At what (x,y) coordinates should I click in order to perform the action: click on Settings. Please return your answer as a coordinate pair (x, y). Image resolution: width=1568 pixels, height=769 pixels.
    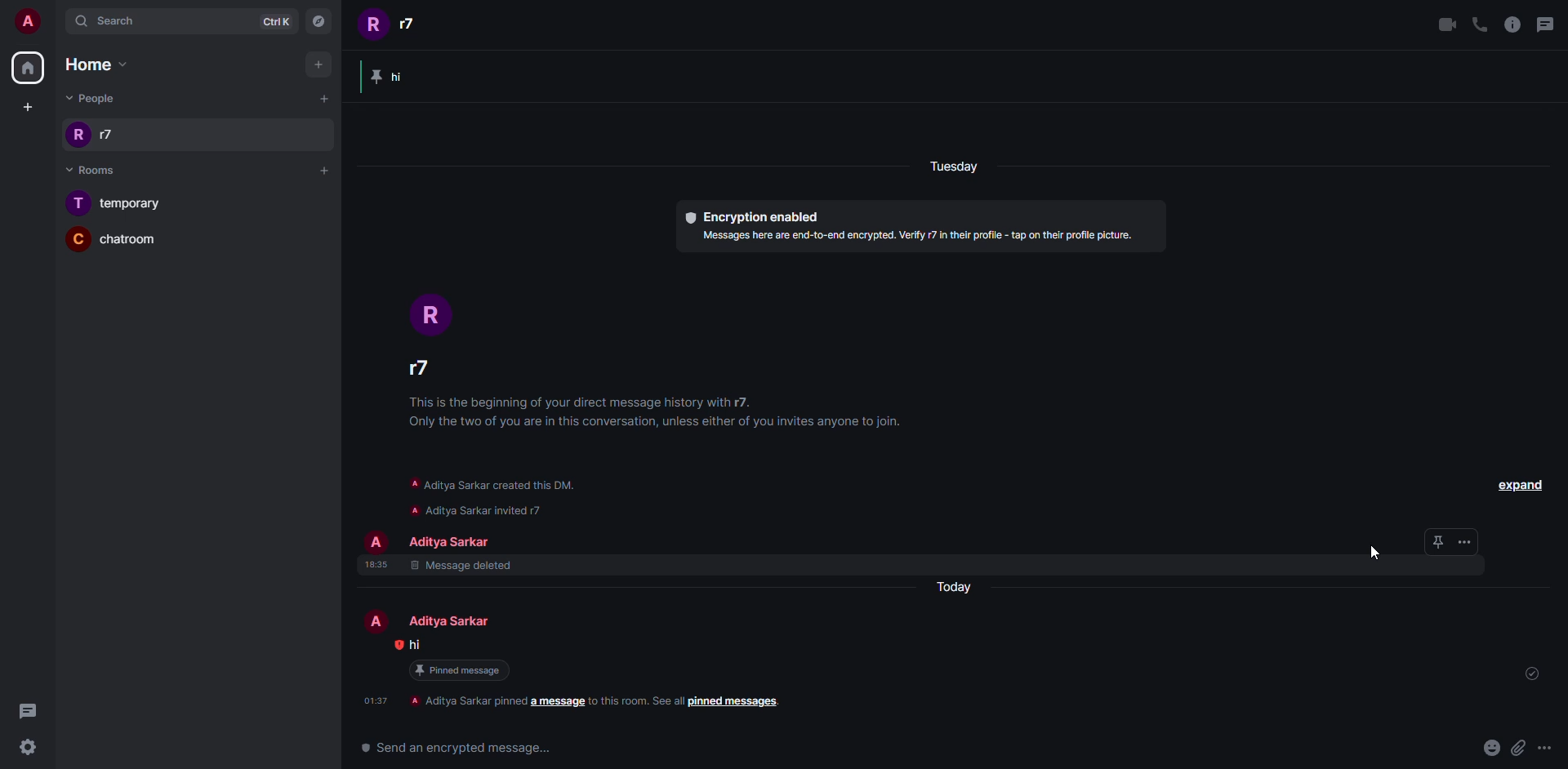
    Looking at the image, I should click on (29, 747).